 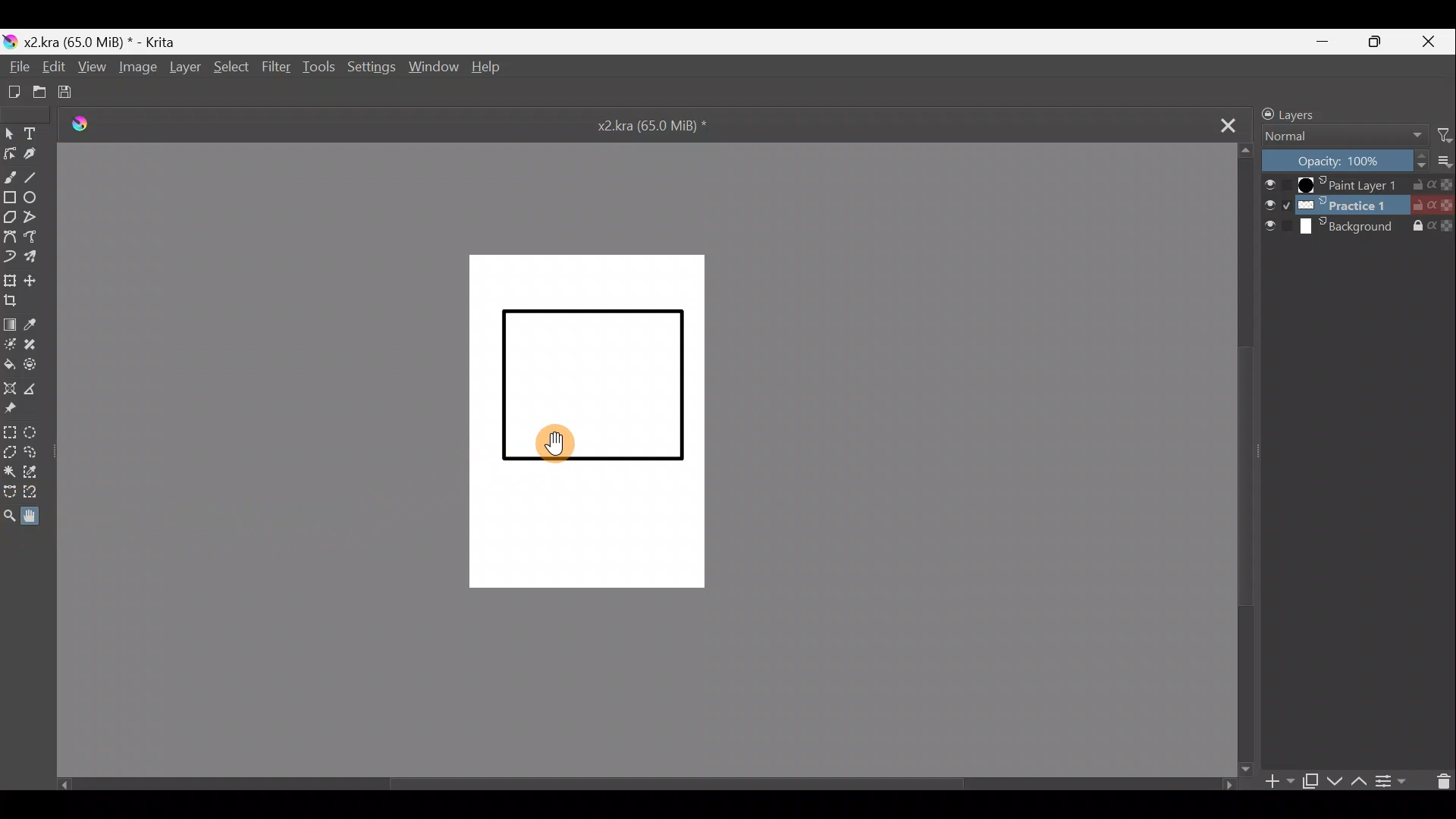 I want to click on Minimize, so click(x=1323, y=41).